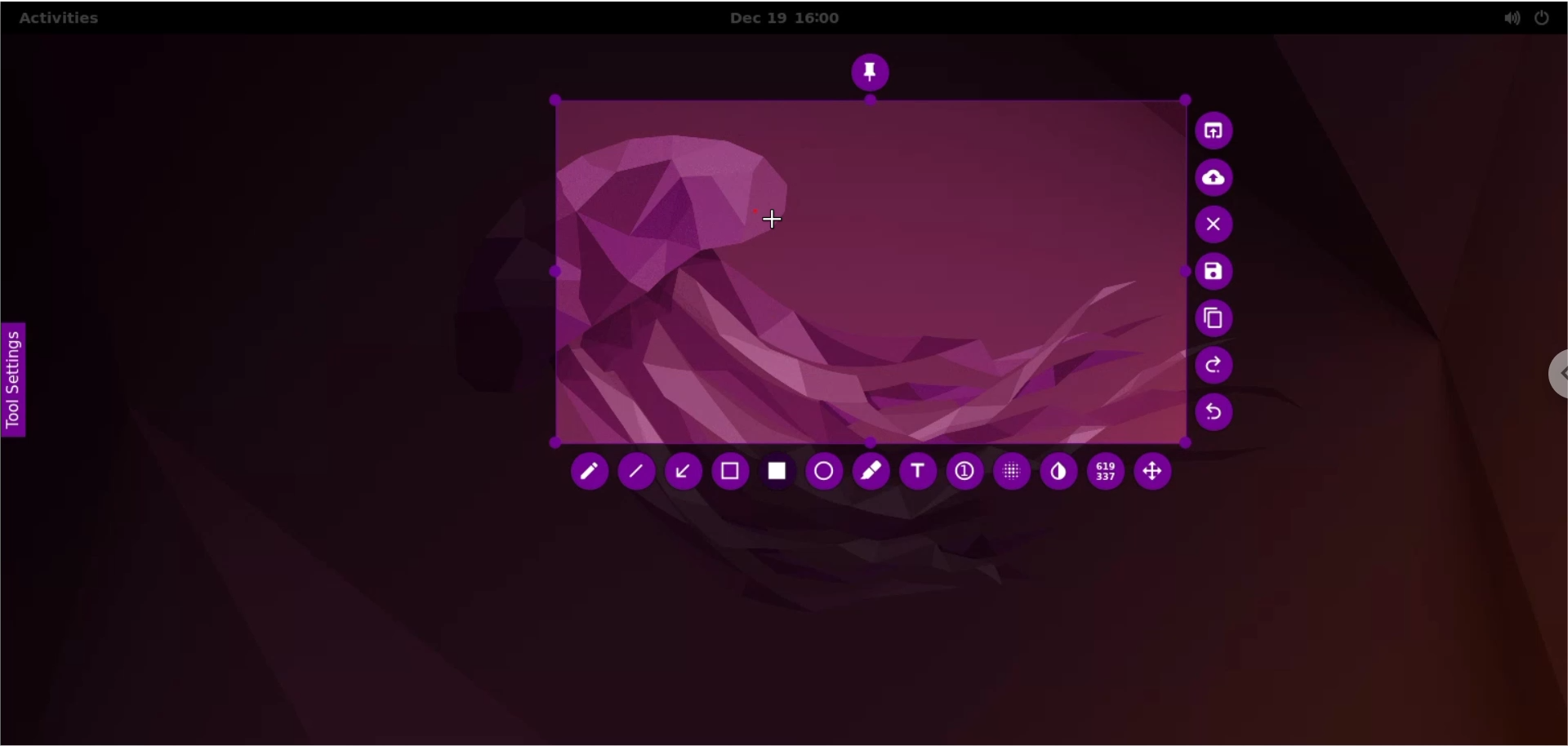 This screenshot has height=746, width=1568. What do you see at coordinates (917, 473) in the screenshot?
I see `text tool` at bounding box center [917, 473].